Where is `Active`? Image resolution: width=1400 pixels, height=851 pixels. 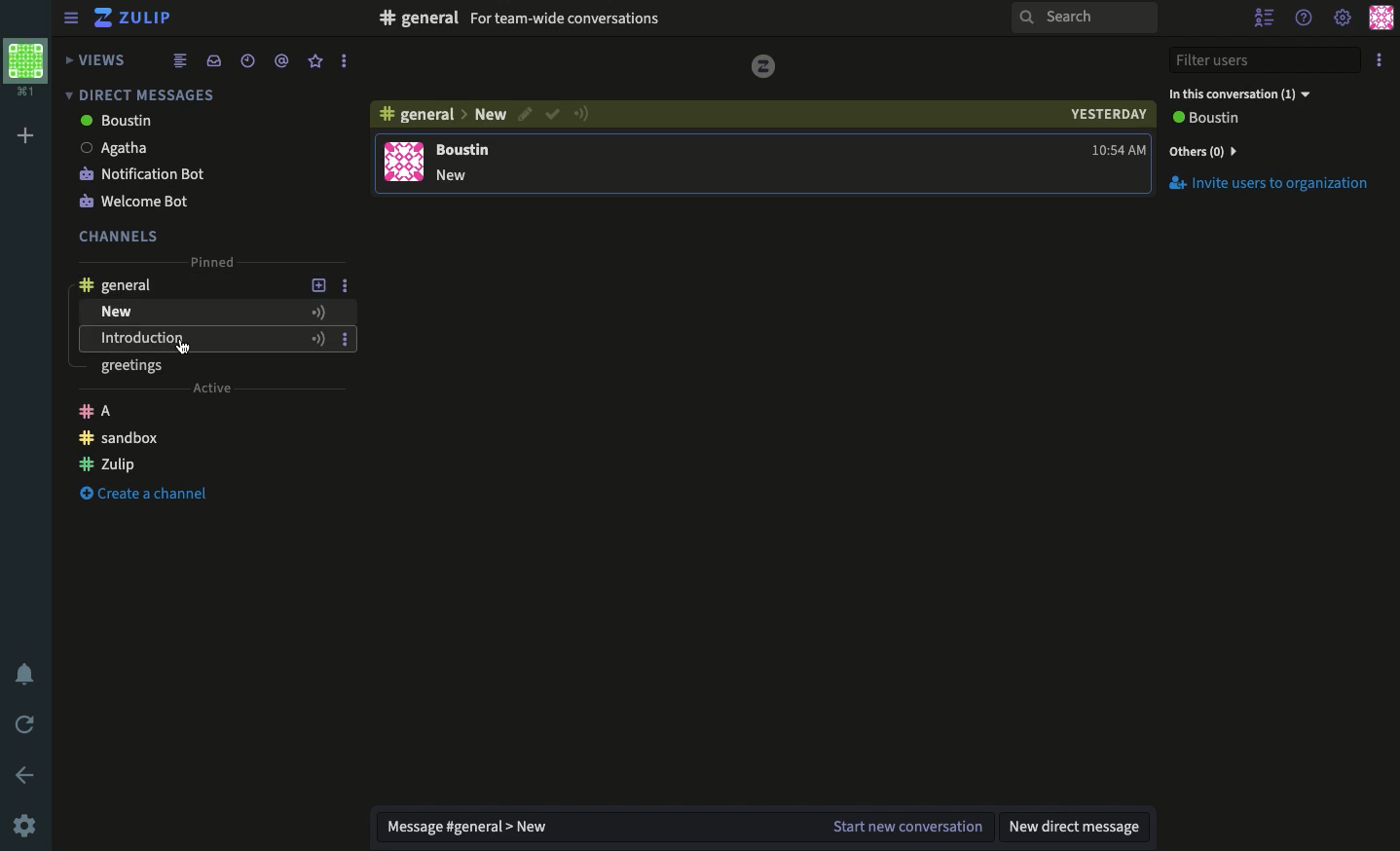
Active is located at coordinates (212, 388).